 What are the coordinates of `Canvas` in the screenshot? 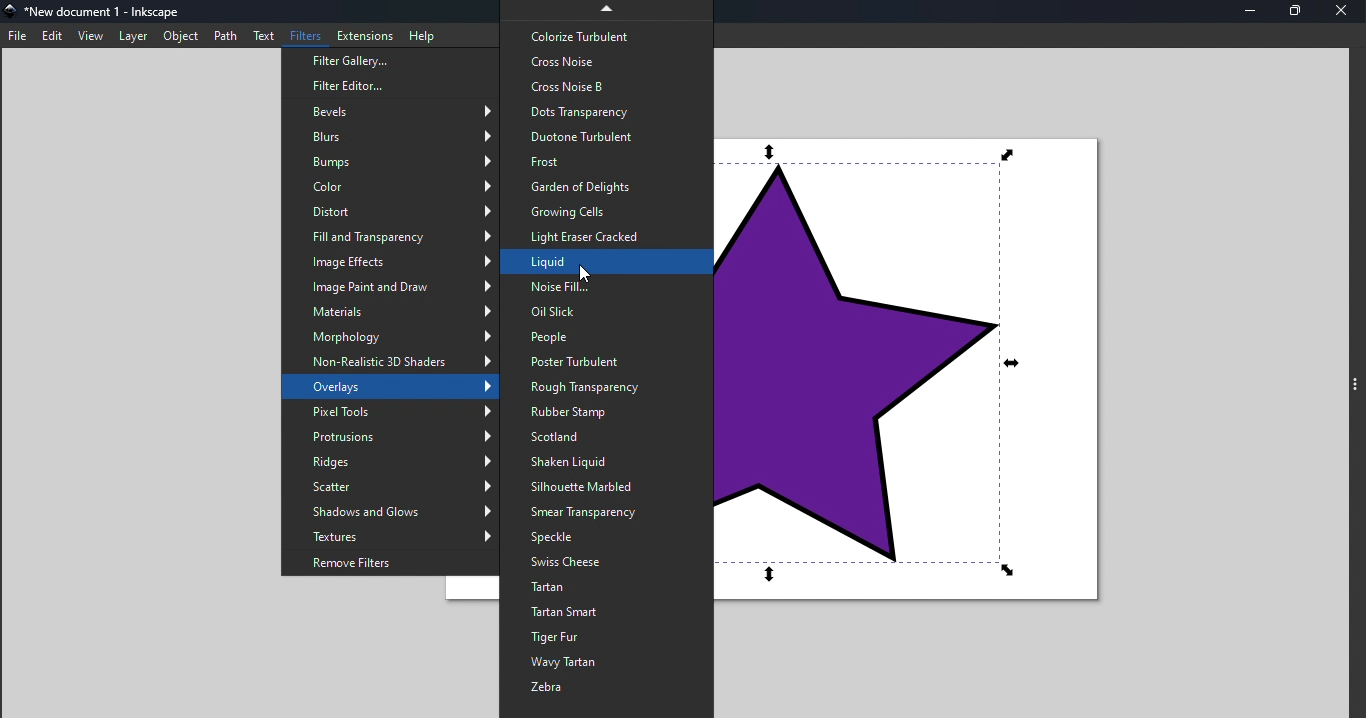 It's located at (920, 372).